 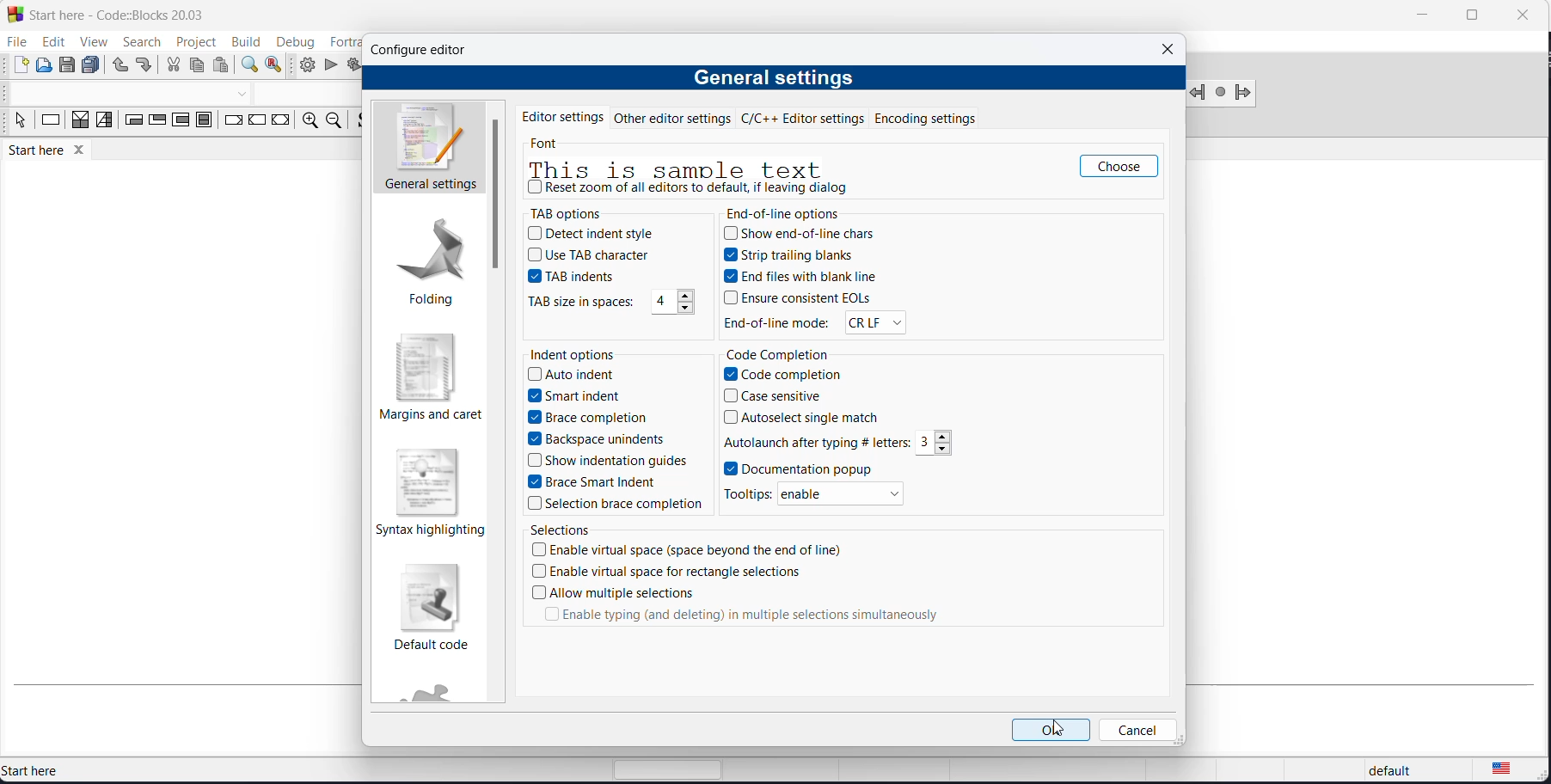 I want to click on dropdown, so click(x=245, y=94).